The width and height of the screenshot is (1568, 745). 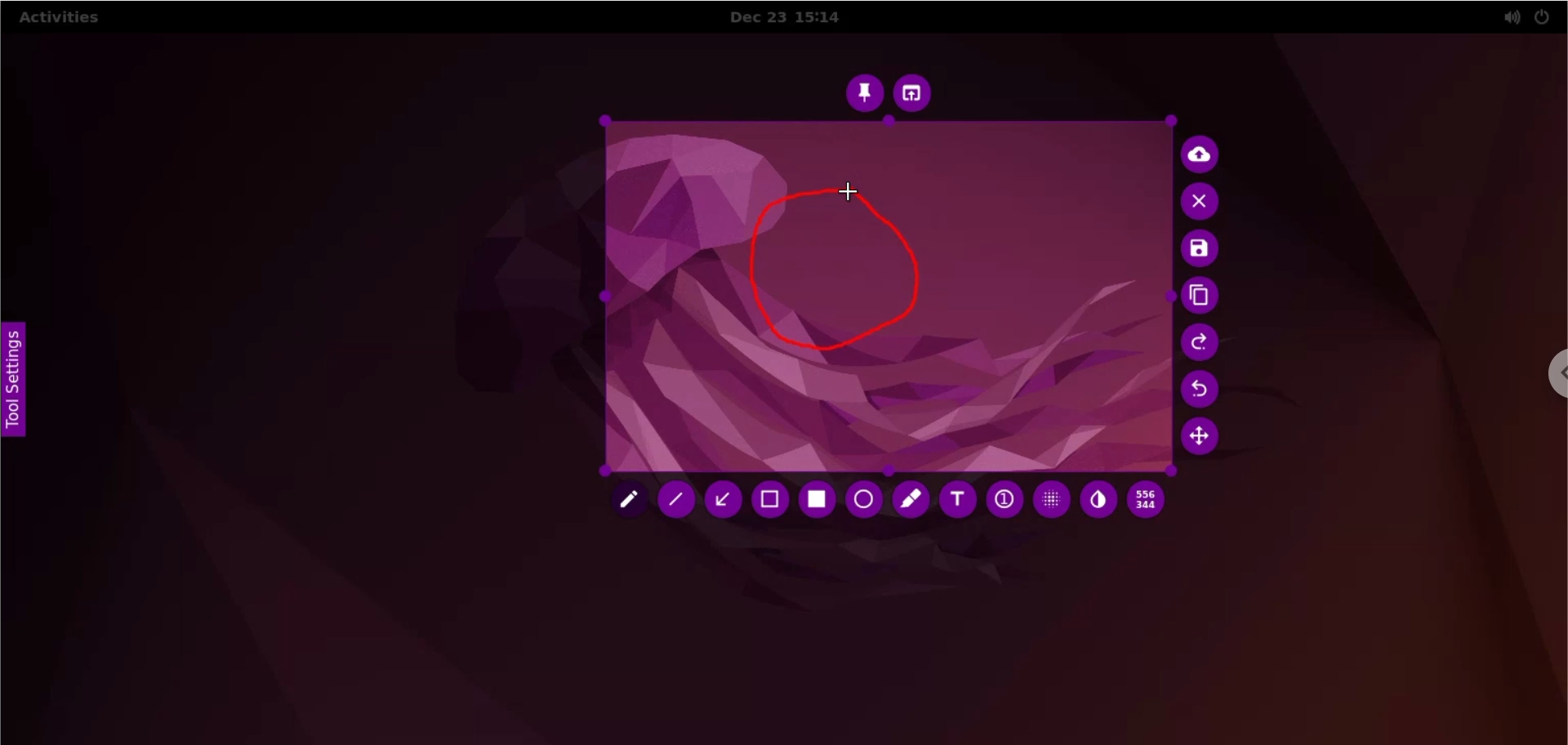 What do you see at coordinates (727, 499) in the screenshot?
I see `arrow` at bounding box center [727, 499].